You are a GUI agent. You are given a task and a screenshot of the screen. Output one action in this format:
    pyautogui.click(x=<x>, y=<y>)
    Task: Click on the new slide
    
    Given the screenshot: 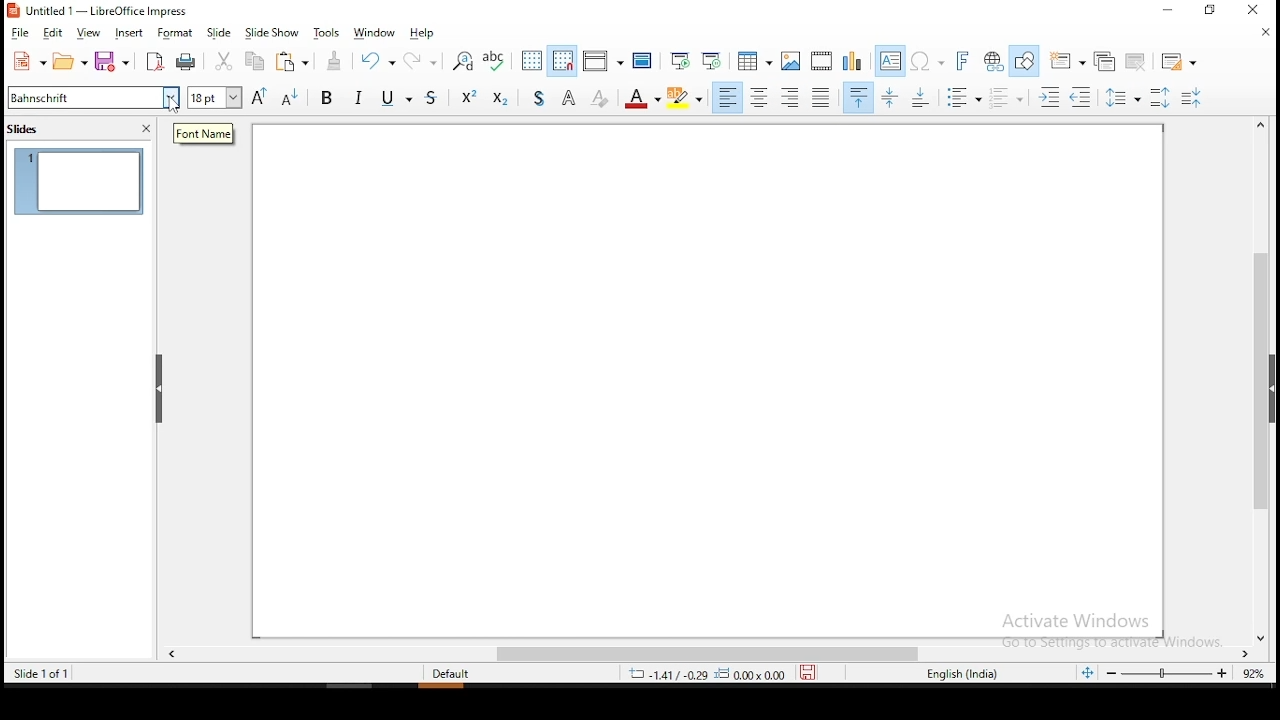 What is the action you would take?
    pyautogui.click(x=1068, y=57)
    